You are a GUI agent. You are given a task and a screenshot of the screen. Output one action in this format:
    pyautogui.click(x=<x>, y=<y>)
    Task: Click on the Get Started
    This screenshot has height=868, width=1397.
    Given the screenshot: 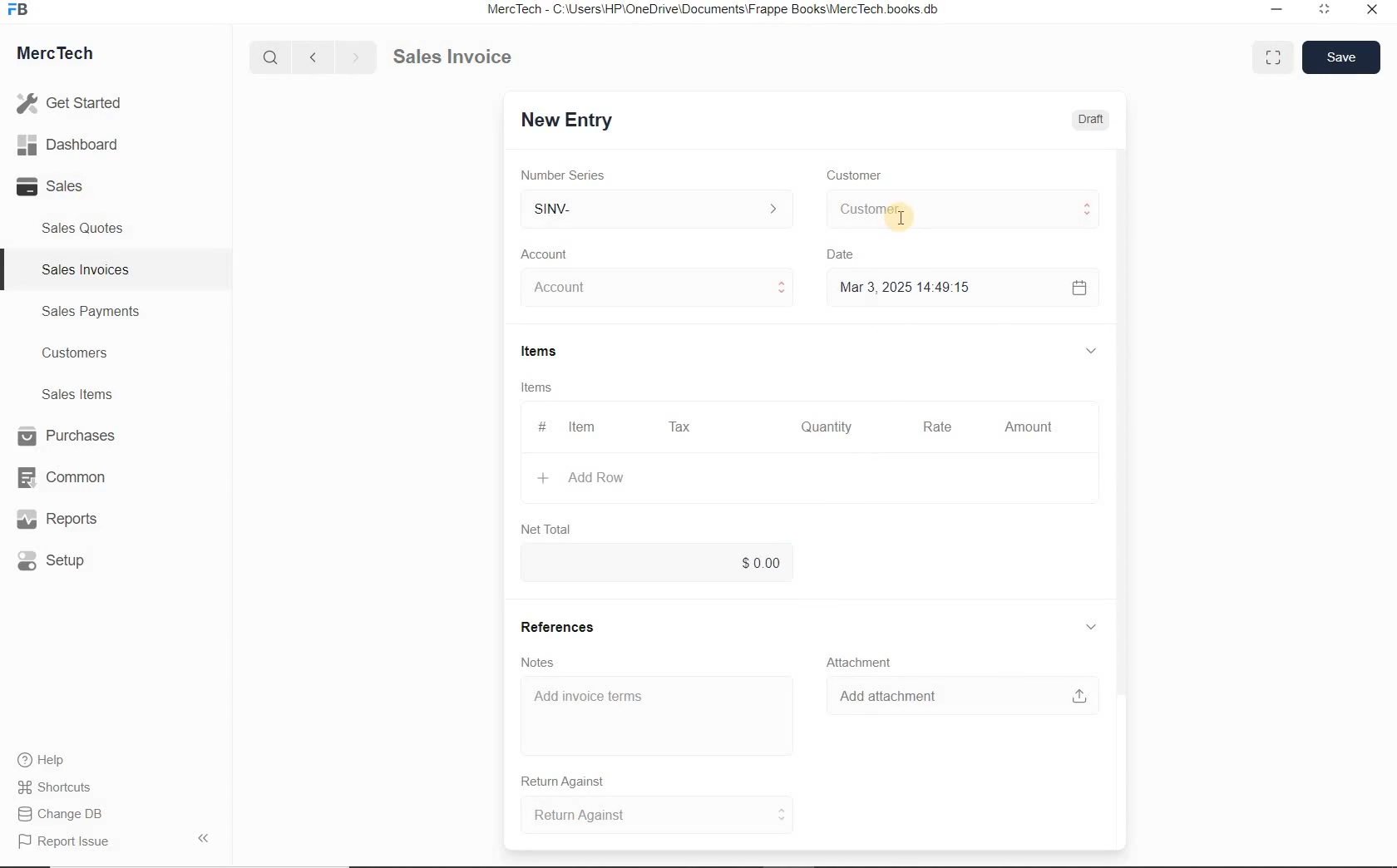 What is the action you would take?
    pyautogui.click(x=75, y=103)
    